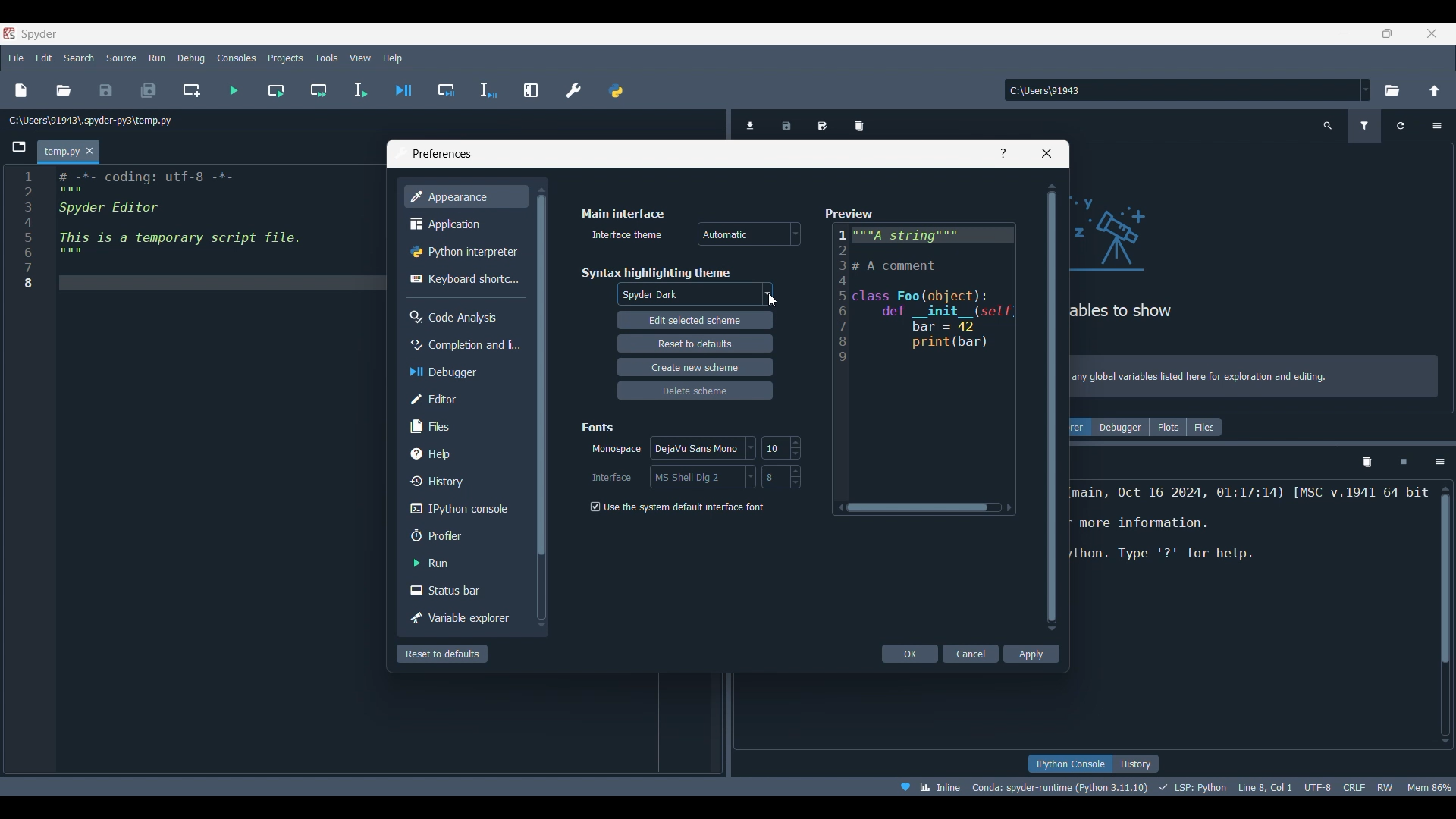 This screenshot has height=819, width=1456. I want to click on Cancel , so click(972, 654).